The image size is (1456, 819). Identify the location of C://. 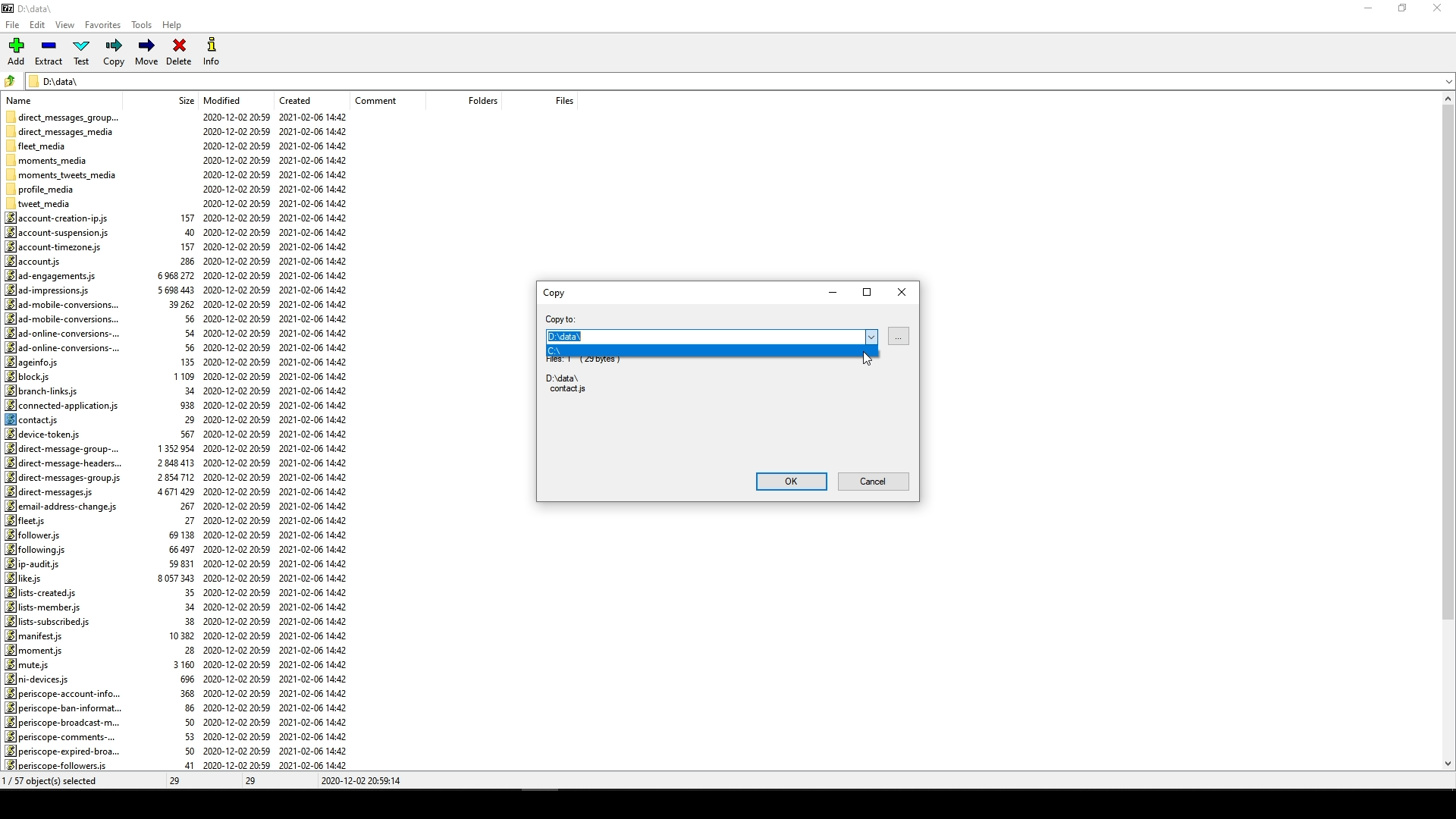
(598, 352).